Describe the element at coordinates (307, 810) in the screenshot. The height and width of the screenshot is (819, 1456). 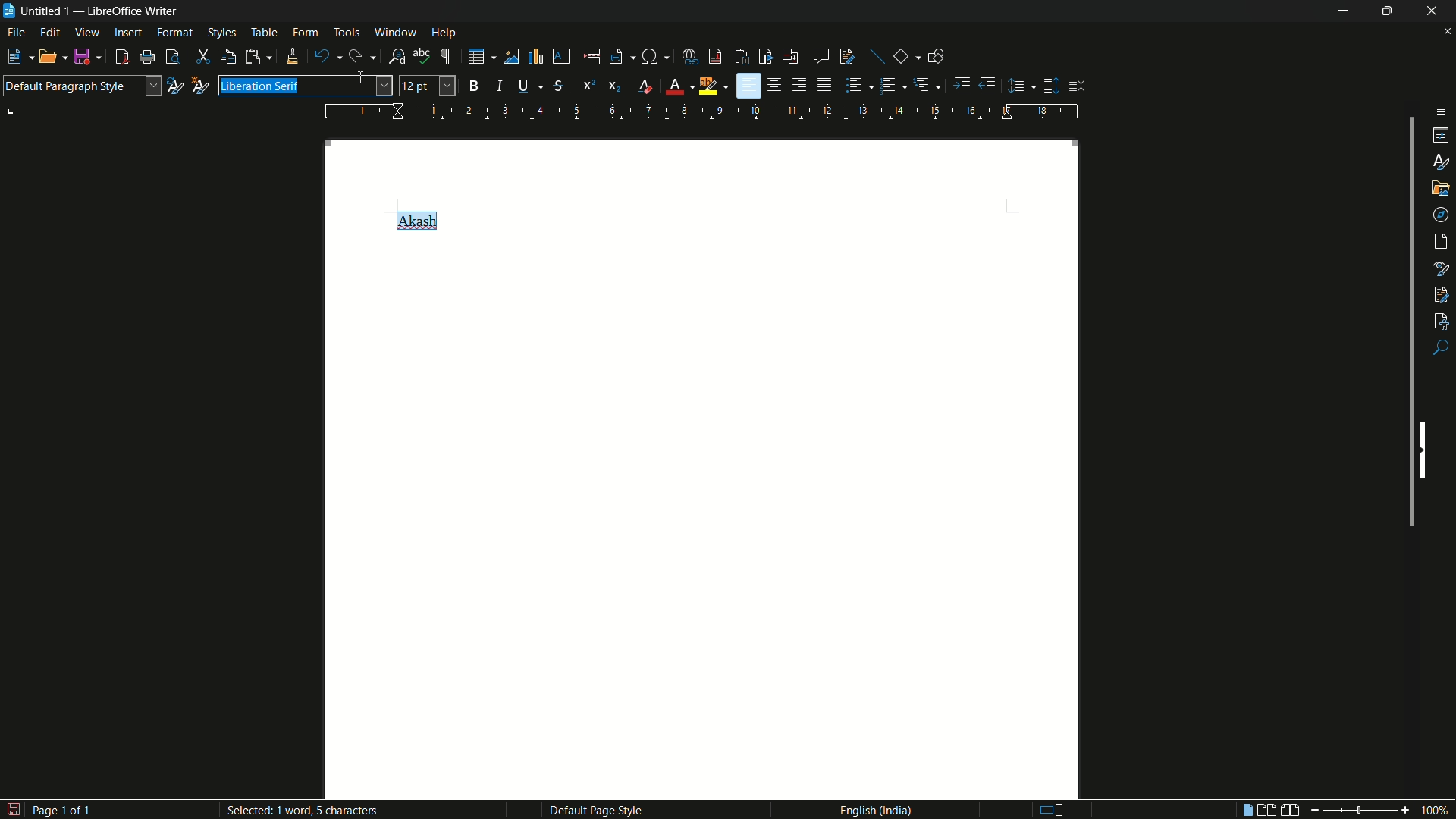
I see `words and characters` at that location.